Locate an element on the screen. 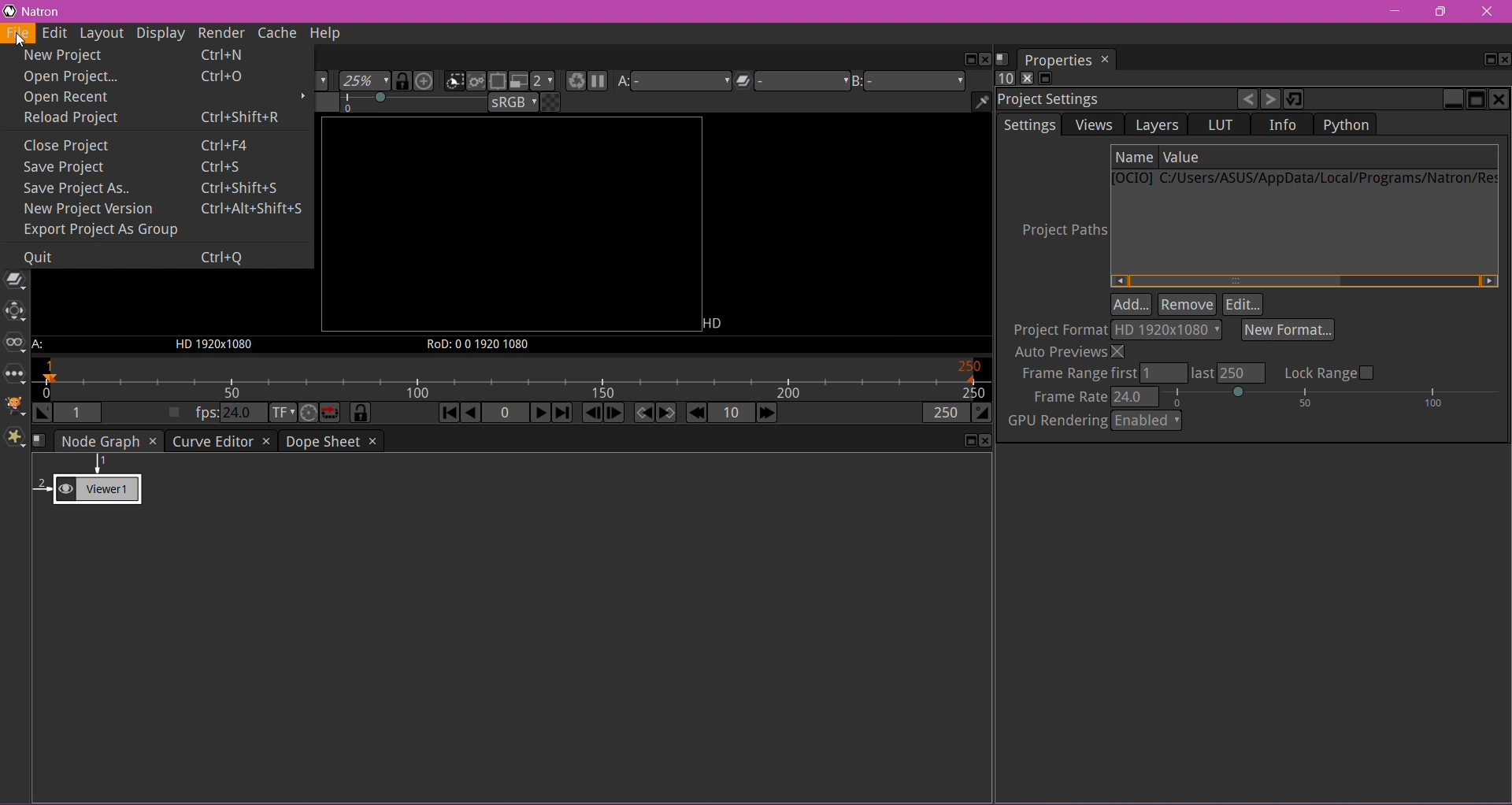 The image size is (1512, 805). Viewer Input A is located at coordinates (675, 80).